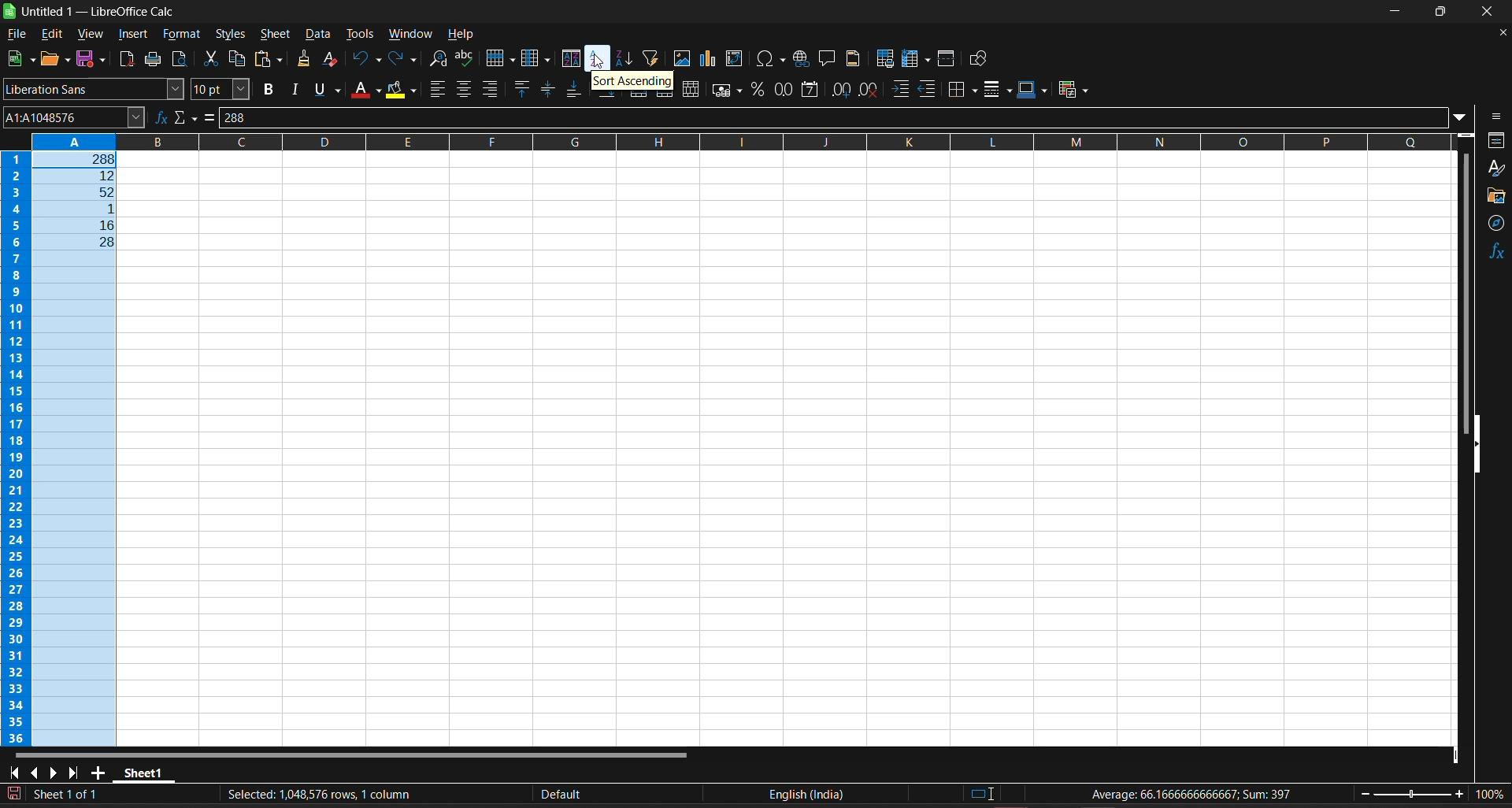 The width and height of the screenshot is (1512, 808). I want to click on close document, so click(1498, 32).